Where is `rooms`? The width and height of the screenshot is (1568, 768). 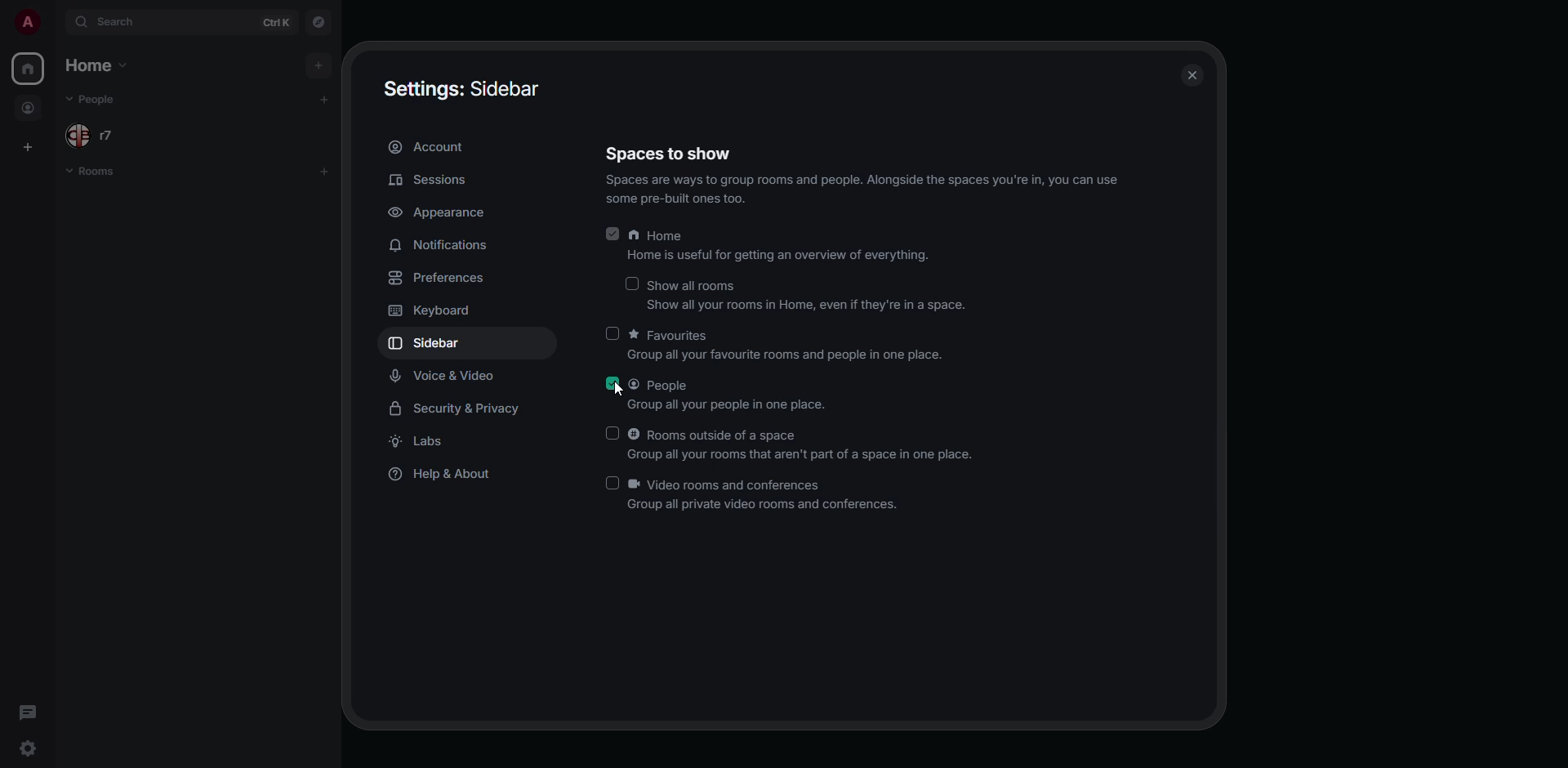 rooms is located at coordinates (91, 175).